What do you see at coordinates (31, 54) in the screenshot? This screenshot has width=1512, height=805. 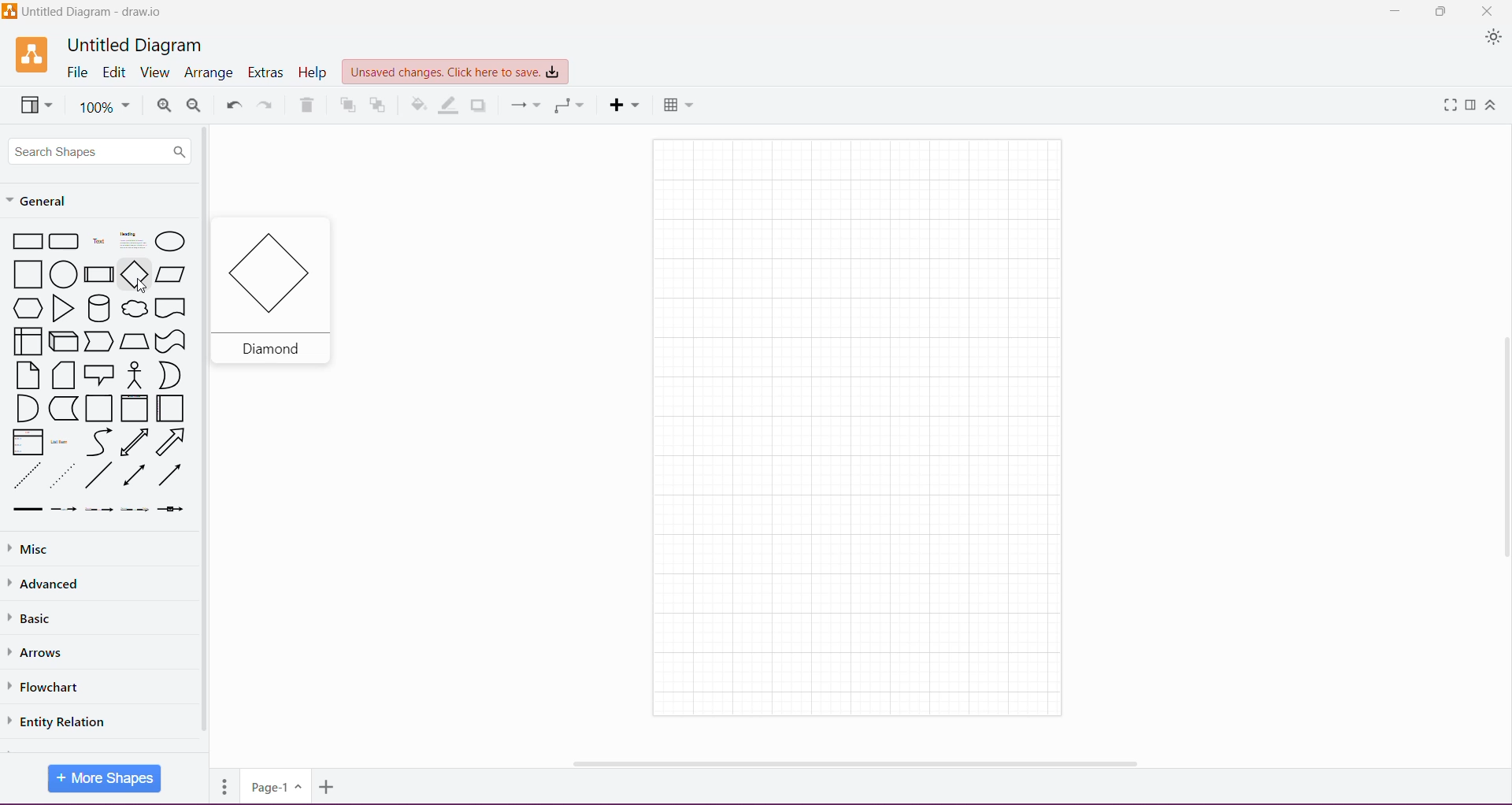 I see `Application Logo` at bounding box center [31, 54].